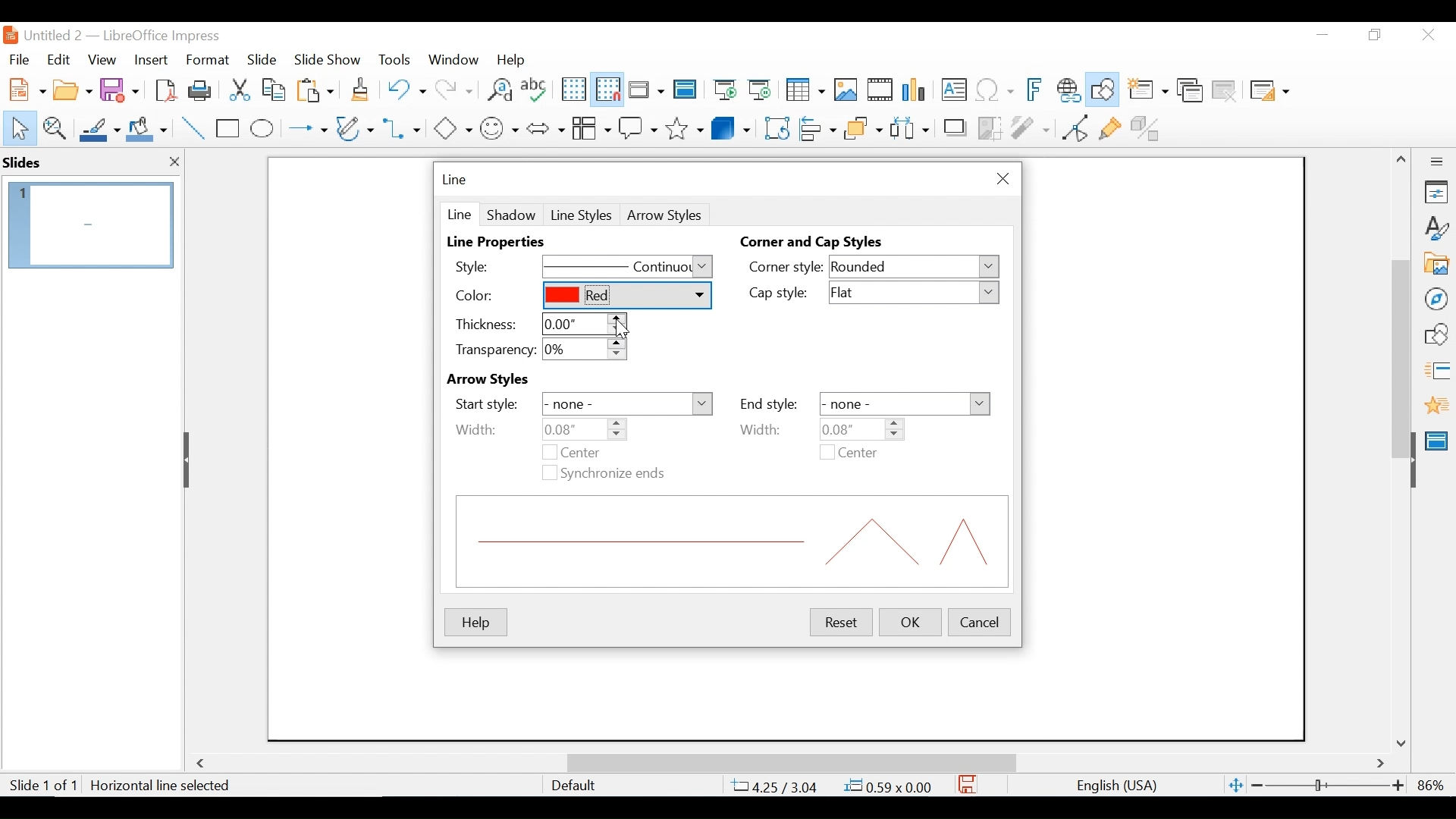 This screenshot has height=819, width=1456. What do you see at coordinates (775, 127) in the screenshot?
I see `Rotate` at bounding box center [775, 127].